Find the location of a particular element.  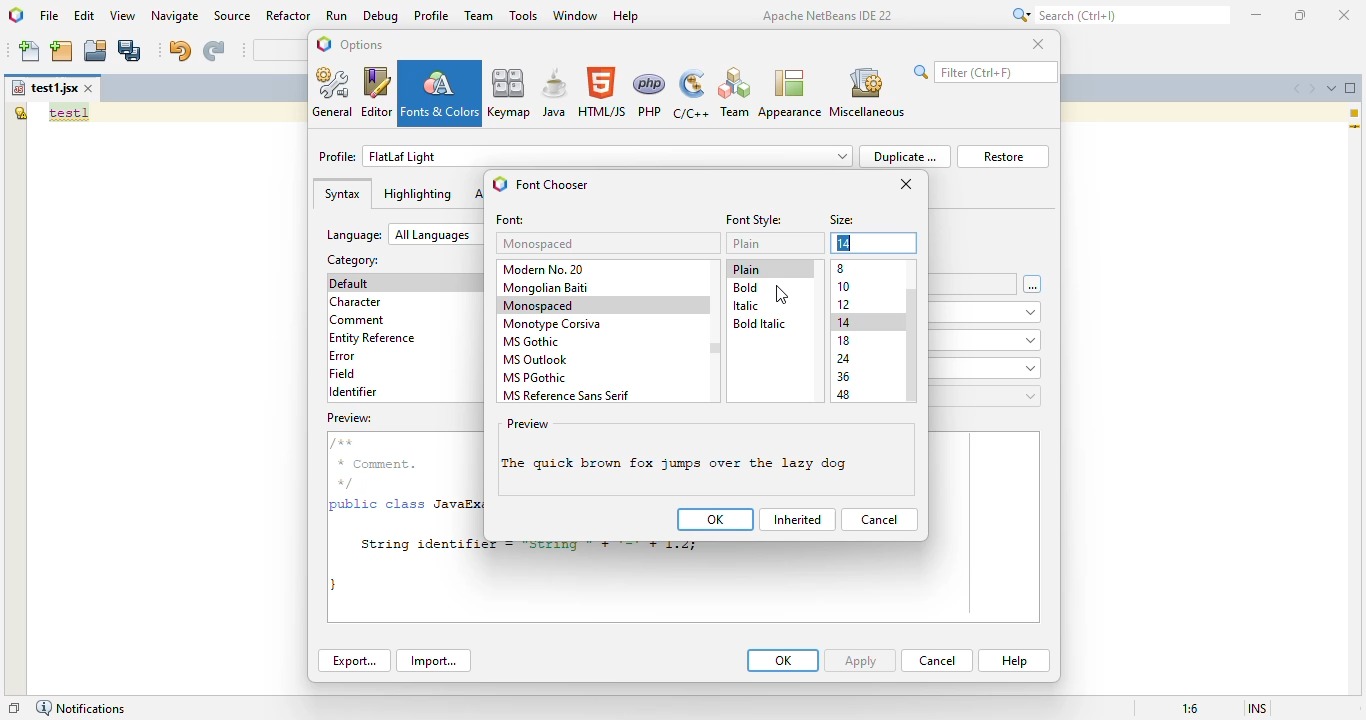

12 is located at coordinates (845, 304).